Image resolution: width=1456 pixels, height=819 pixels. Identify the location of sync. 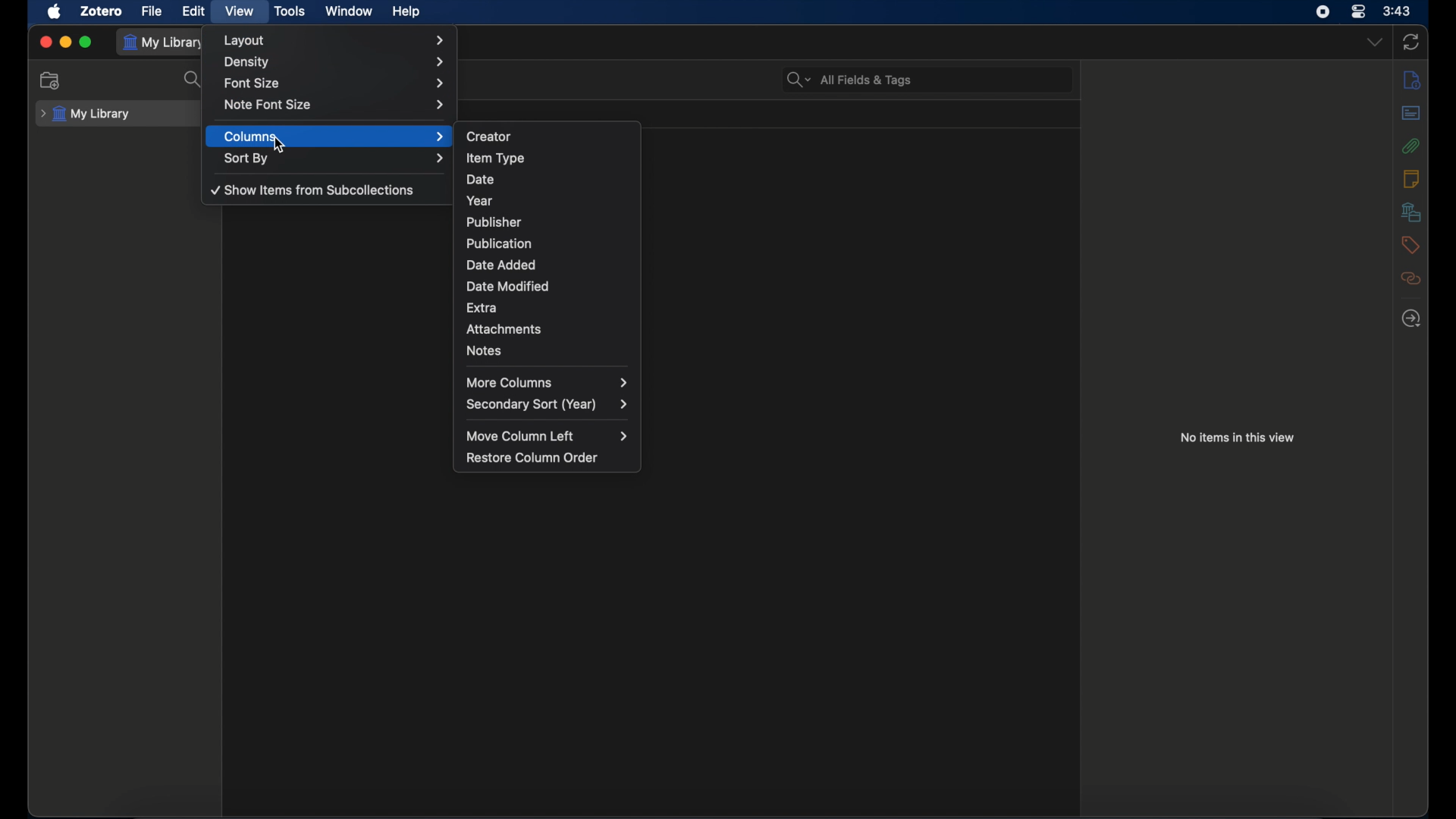
(1411, 42).